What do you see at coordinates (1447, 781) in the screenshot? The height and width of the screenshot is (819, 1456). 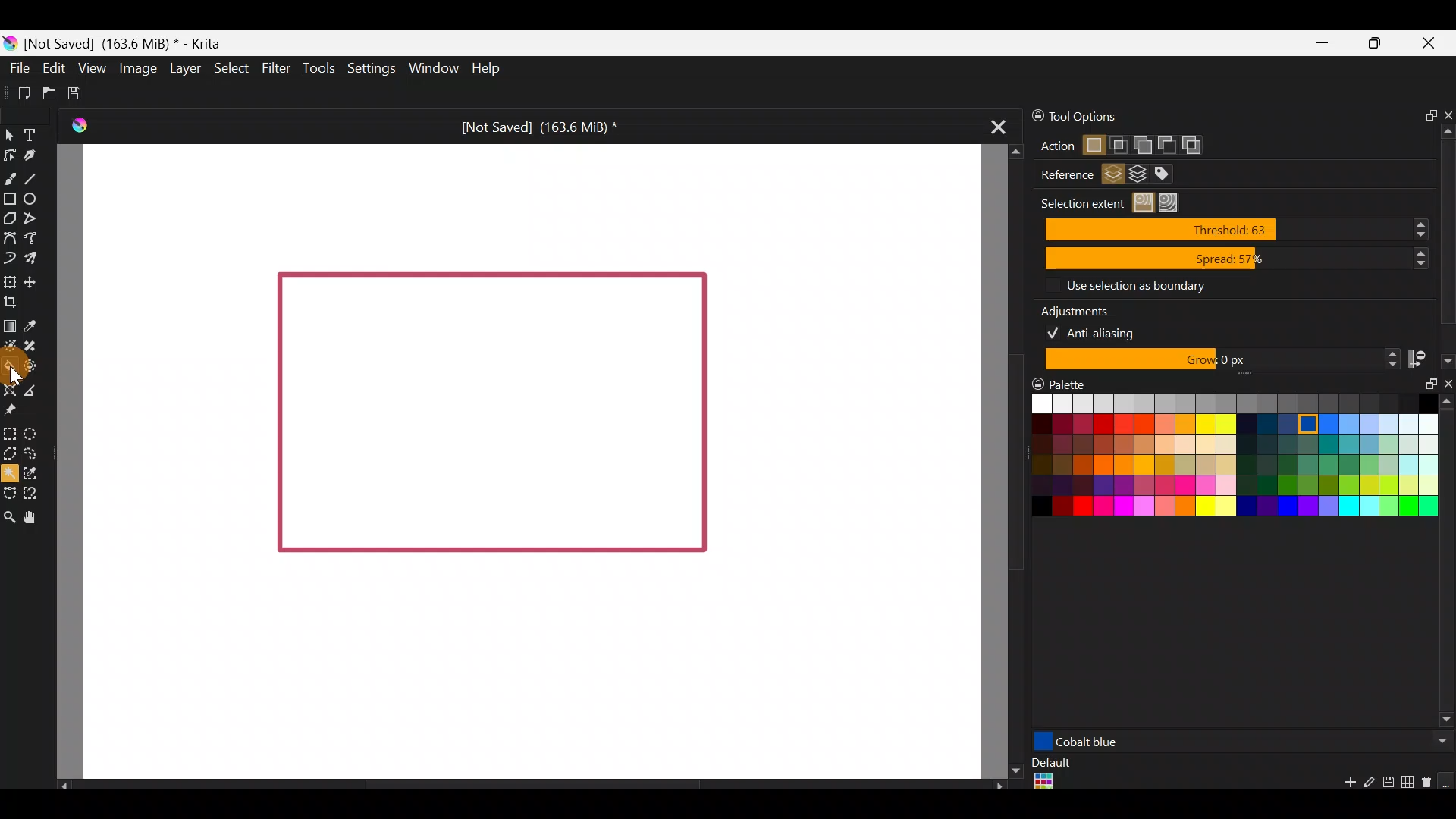 I see `Lock the current palette` at bounding box center [1447, 781].